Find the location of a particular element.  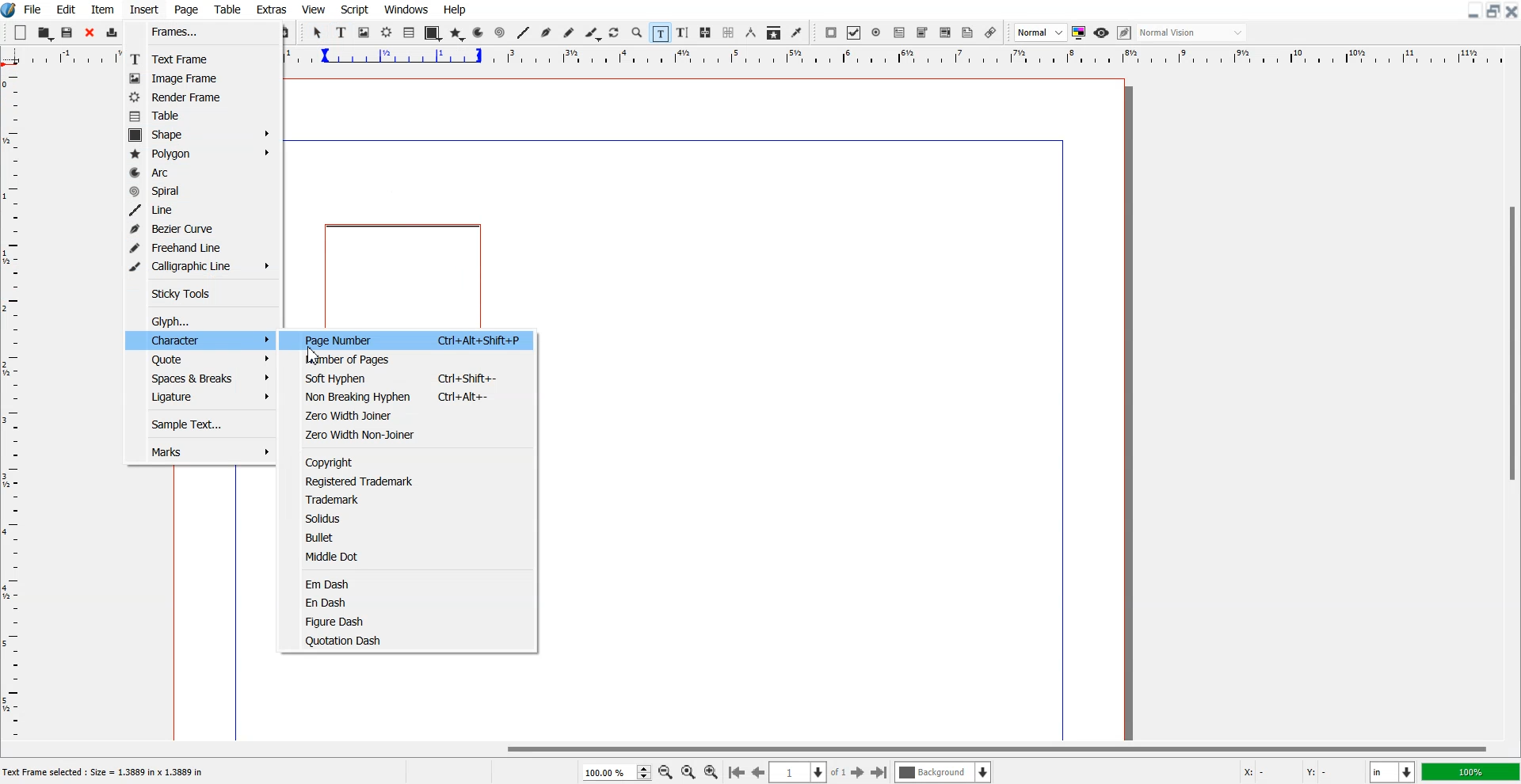

Page Number is located at coordinates (414, 339).